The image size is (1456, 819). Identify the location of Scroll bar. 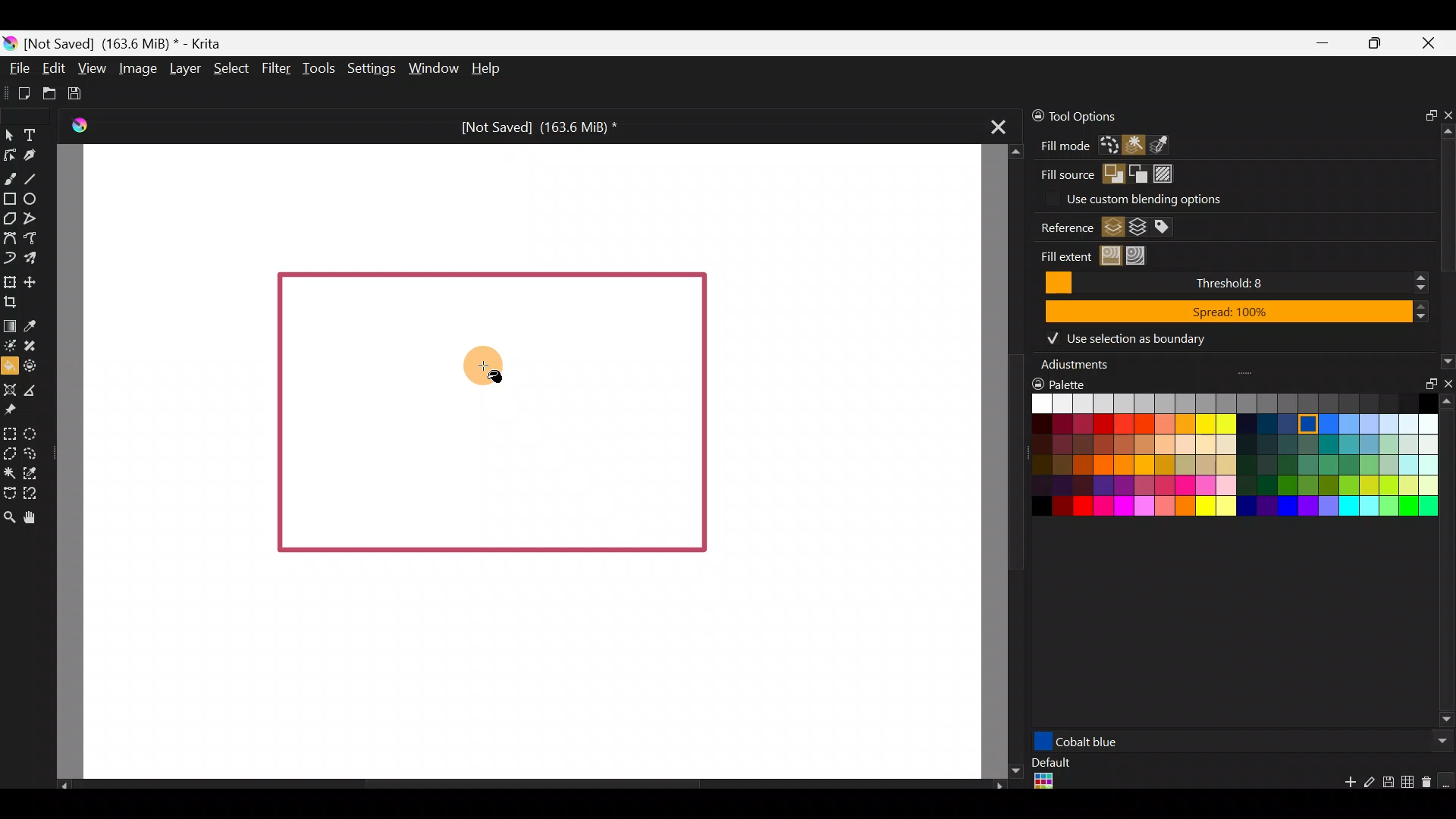
(1006, 462).